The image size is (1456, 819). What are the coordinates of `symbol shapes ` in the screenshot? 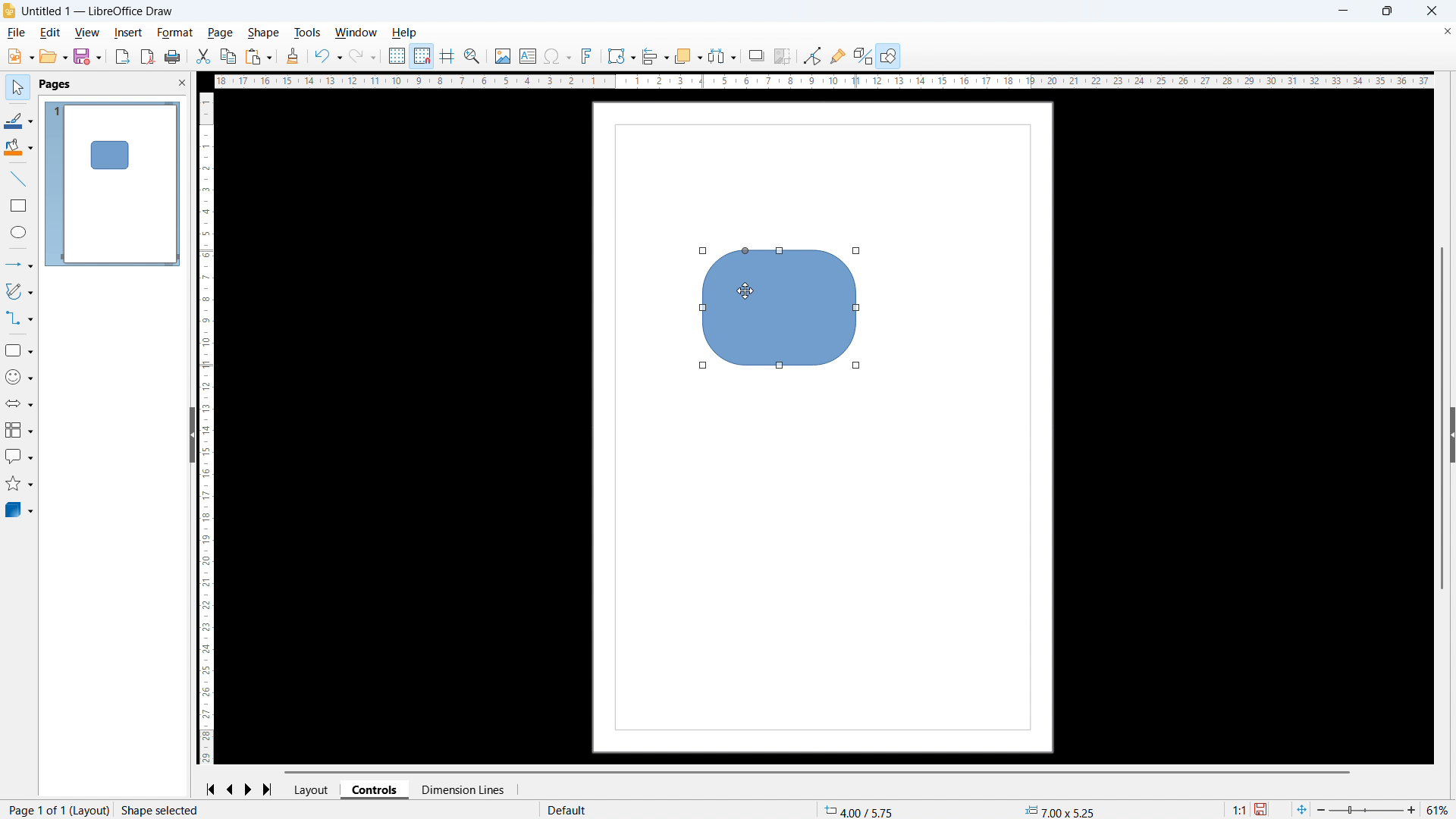 It's located at (18, 378).